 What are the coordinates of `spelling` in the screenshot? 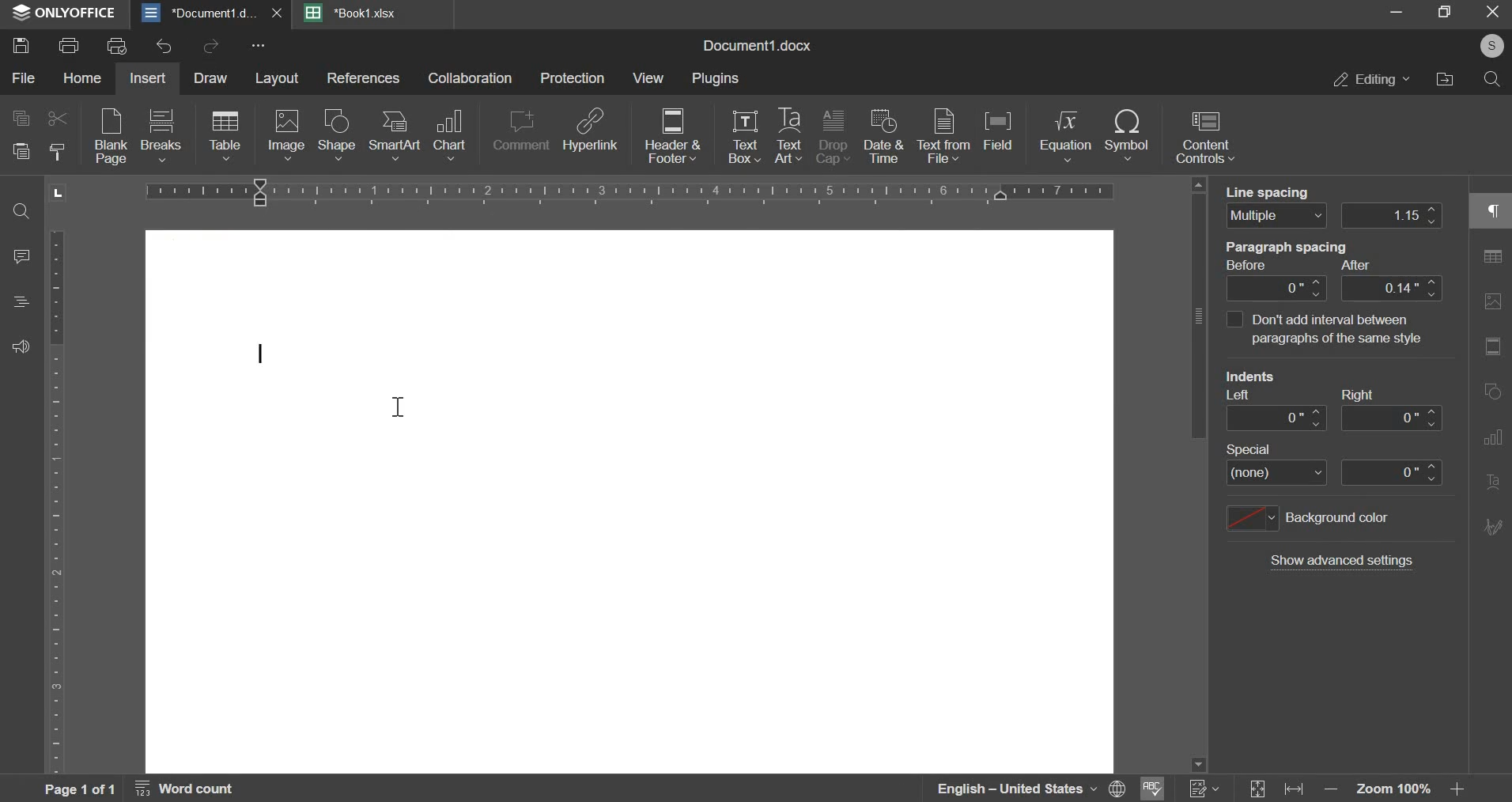 It's located at (1154, 787).